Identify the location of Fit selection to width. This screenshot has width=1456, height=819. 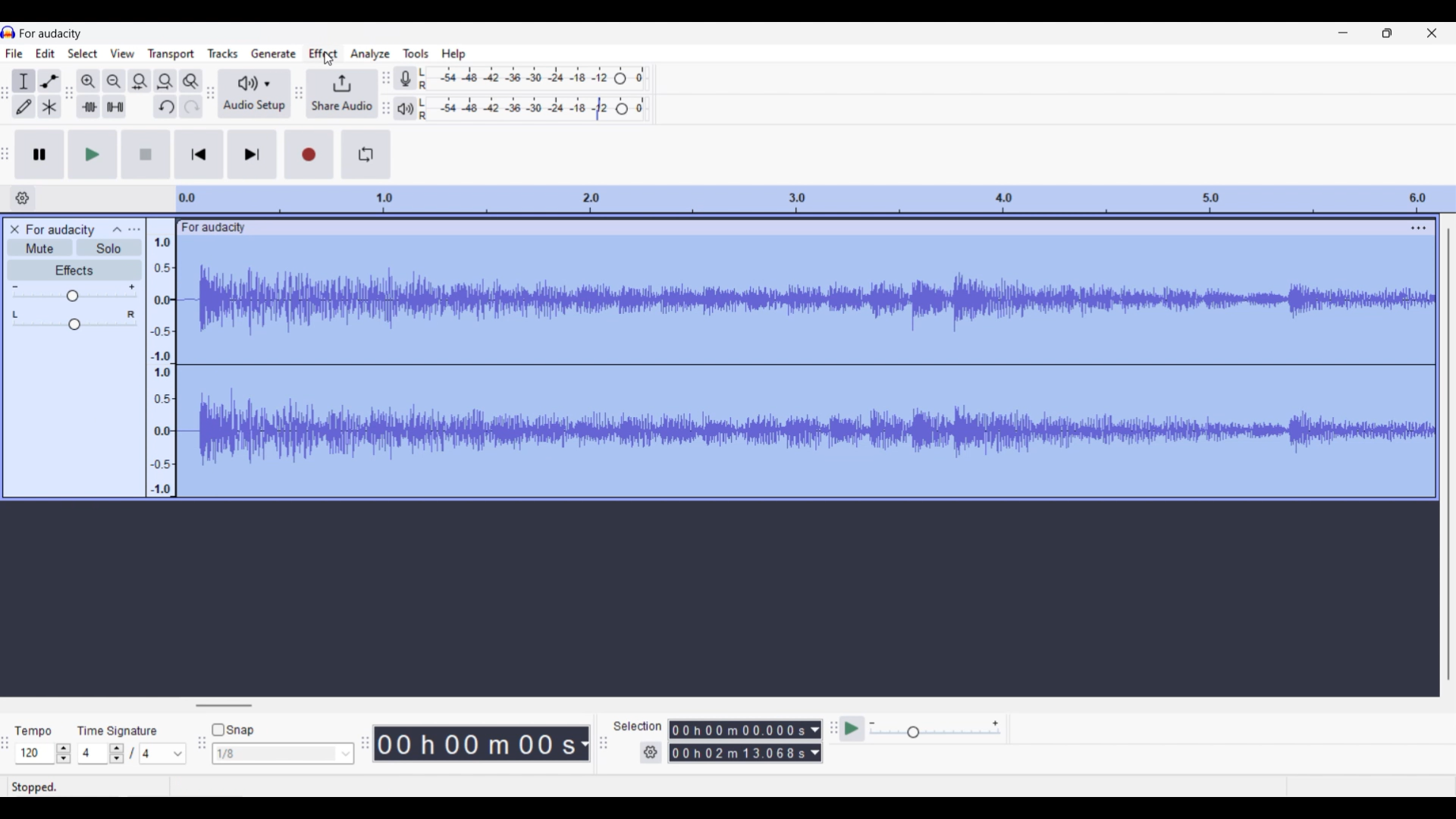
(140, 81).